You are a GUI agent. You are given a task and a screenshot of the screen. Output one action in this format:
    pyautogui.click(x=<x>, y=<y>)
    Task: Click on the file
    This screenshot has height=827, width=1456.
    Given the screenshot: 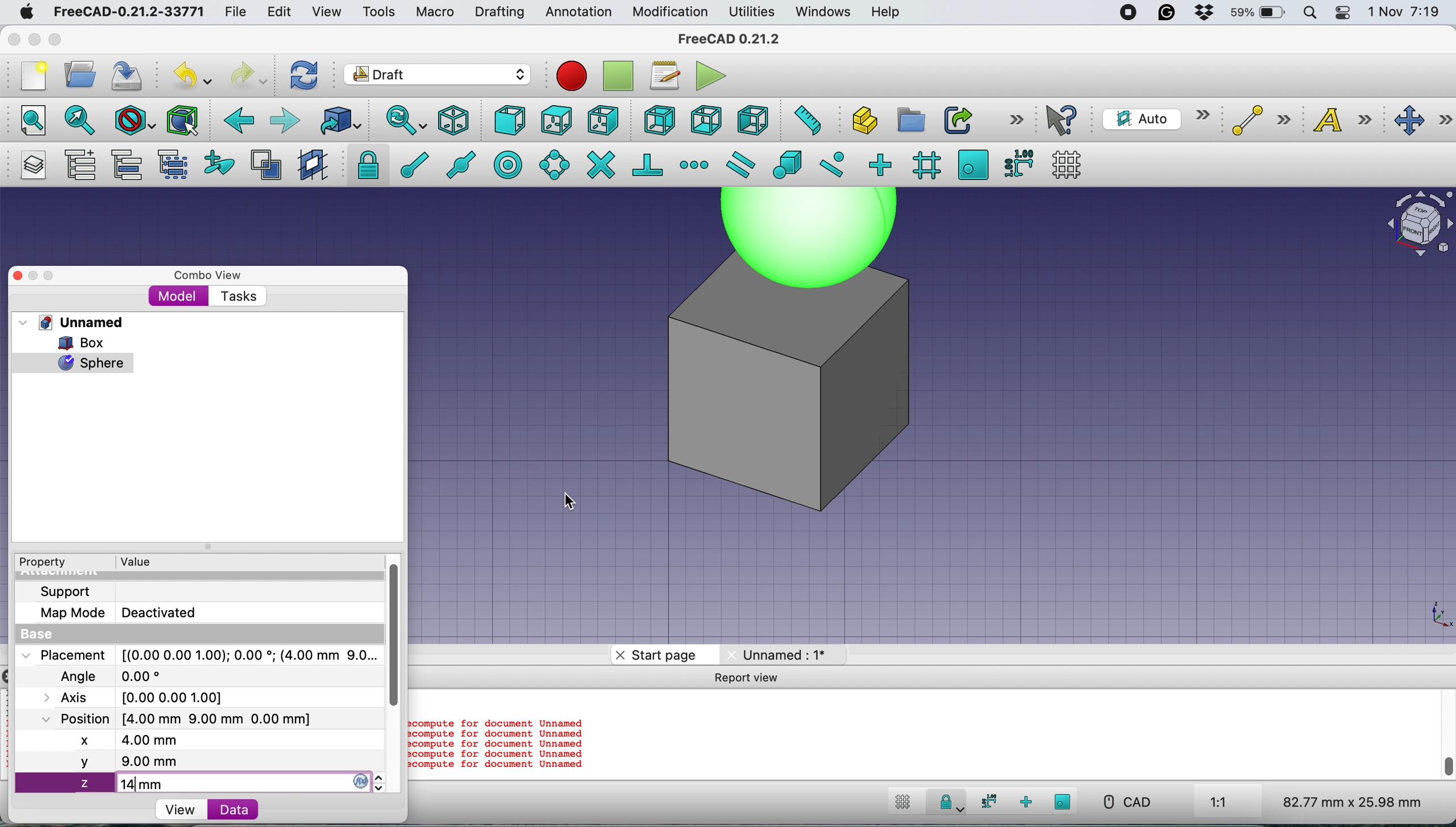 What is the action you would take?
    pyautogui.click(x=235, y=12)
    